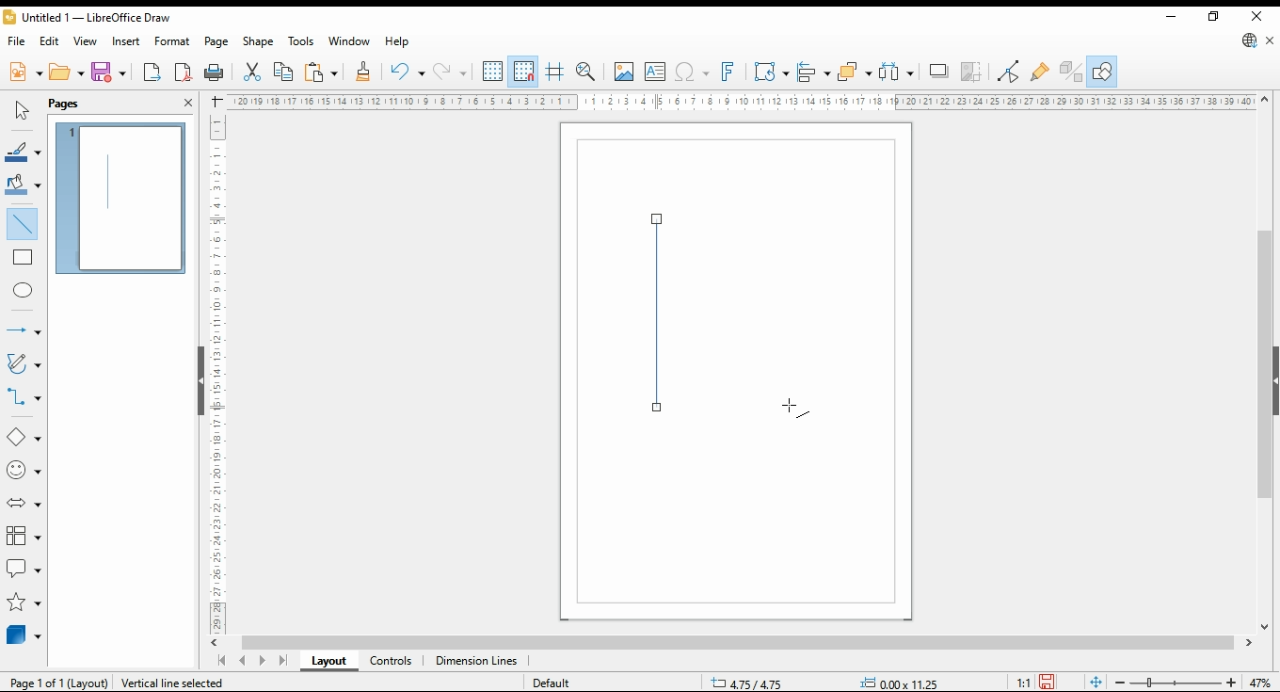 This screenshot has width=1280, height=692. Describe the element at coordinates (26, 258) in the screenshot. I see `insert line message` at that location.